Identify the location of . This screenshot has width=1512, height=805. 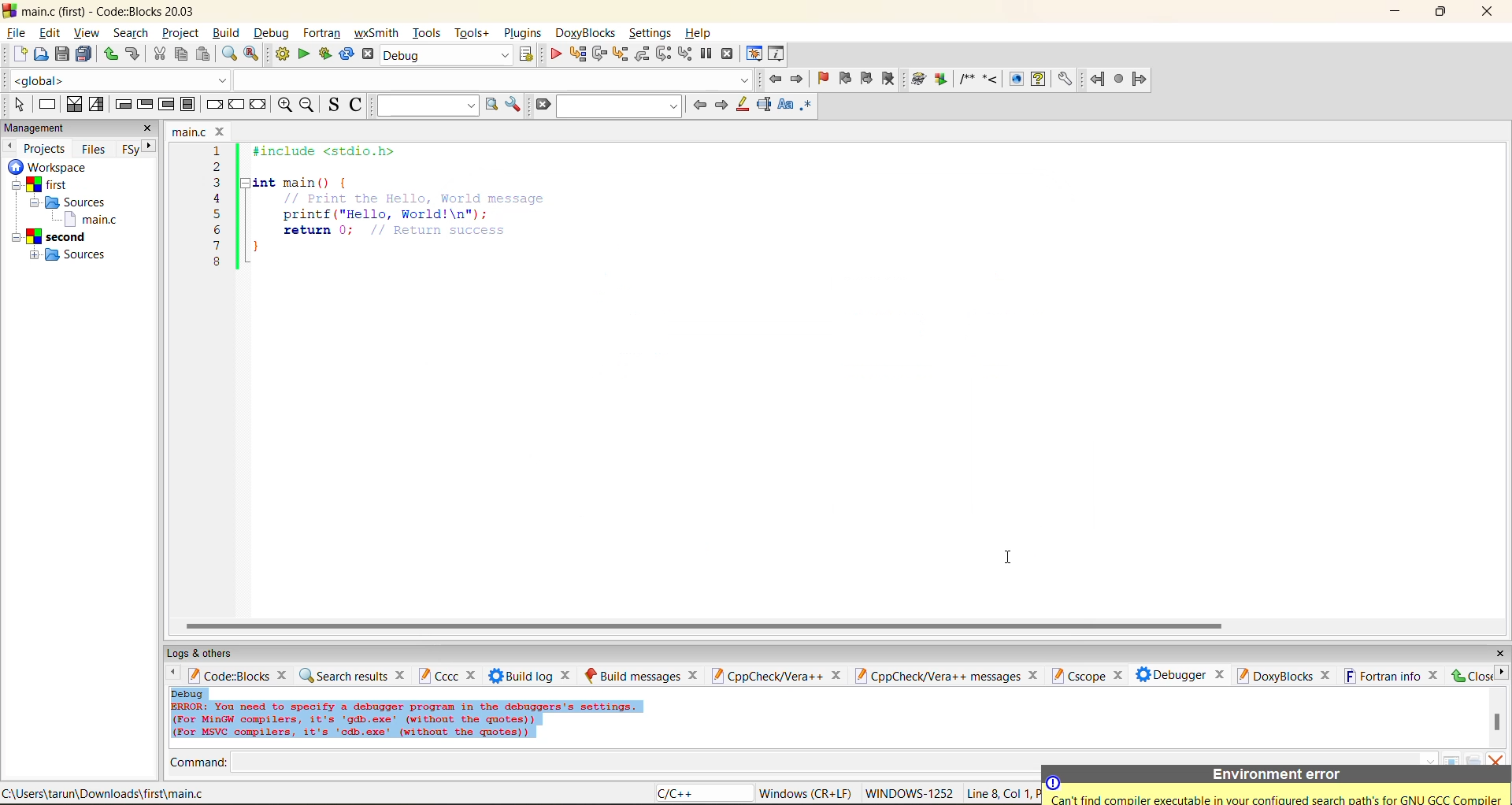
(44, 167).